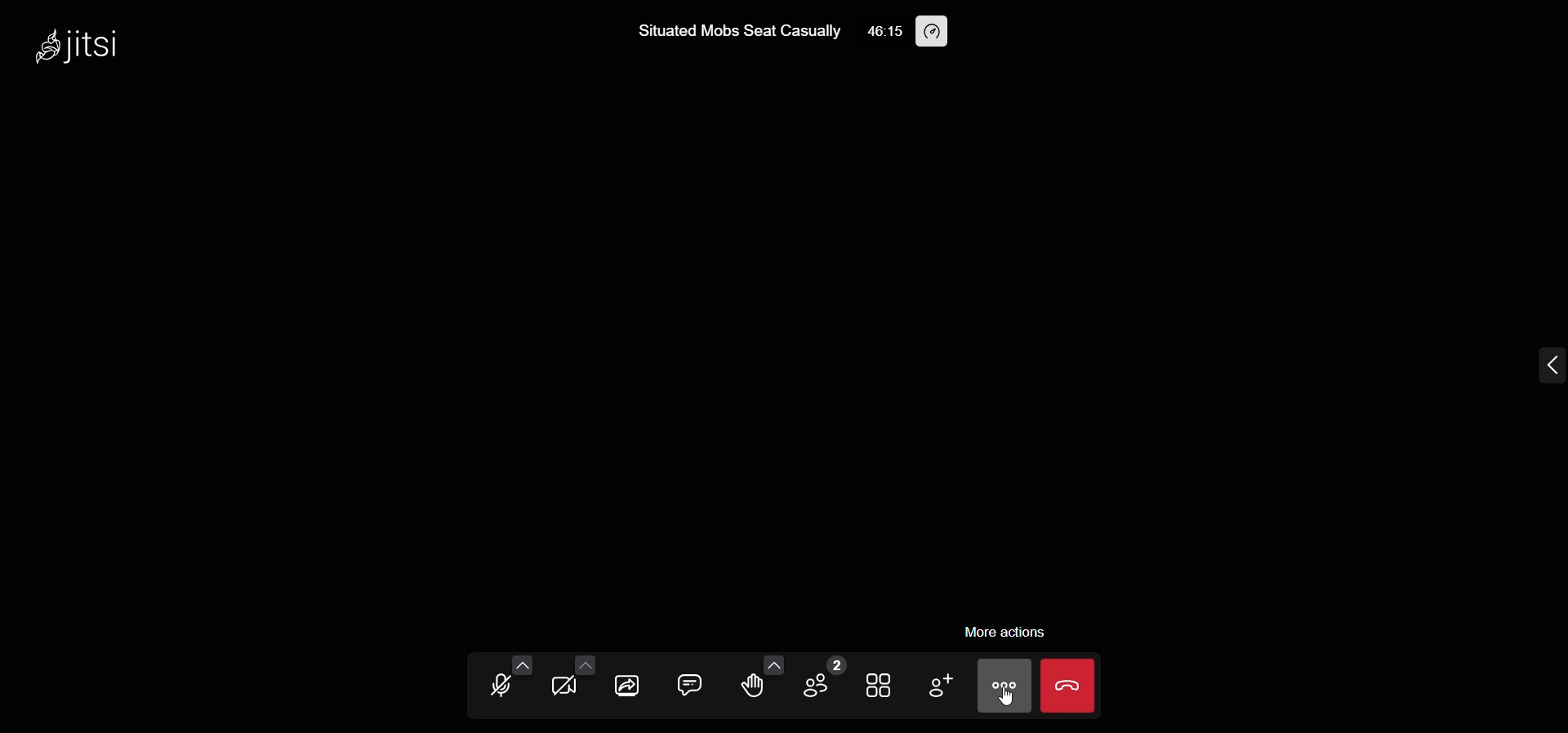 This screenshot has width=1568, height=733. I want to click on 46:15, so click(884, 32).